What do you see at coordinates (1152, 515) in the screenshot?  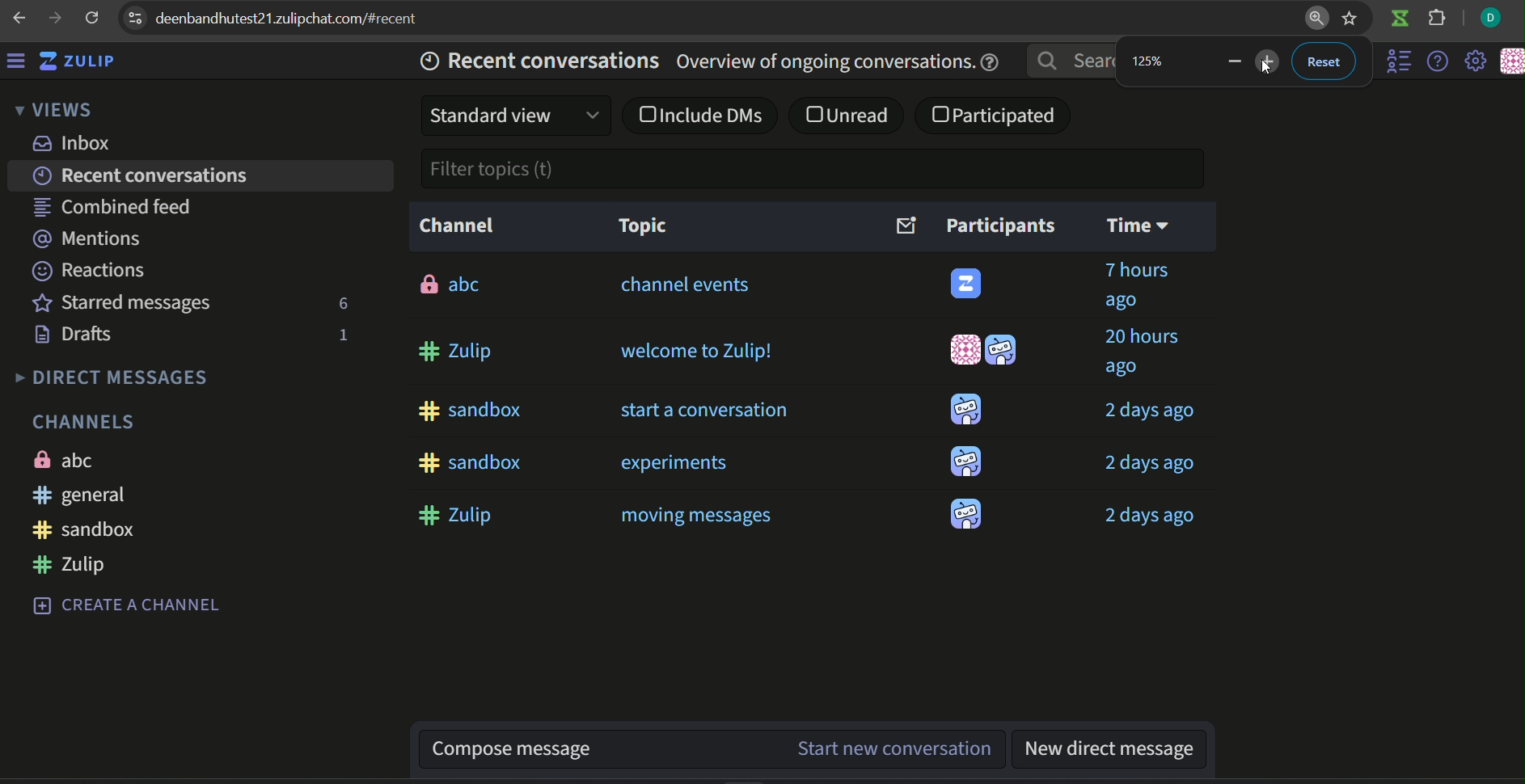 I see `2 days ago` at bounding box center [1152, 515].